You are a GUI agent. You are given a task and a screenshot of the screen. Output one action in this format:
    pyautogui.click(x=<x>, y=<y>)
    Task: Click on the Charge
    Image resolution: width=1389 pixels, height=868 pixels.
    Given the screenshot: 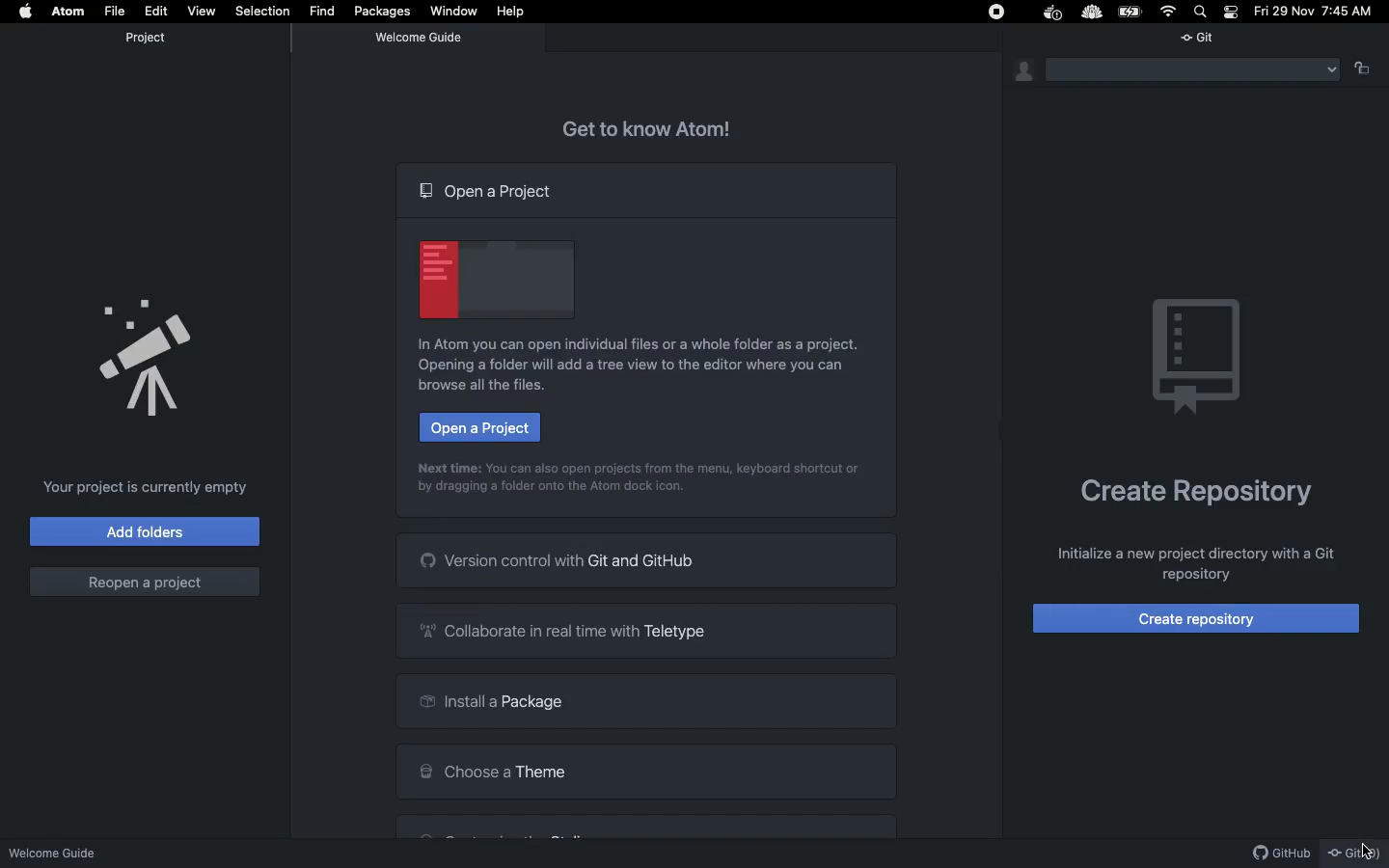 What is the action you would take?
    pyautogui.click(x=1131, y=13)
    